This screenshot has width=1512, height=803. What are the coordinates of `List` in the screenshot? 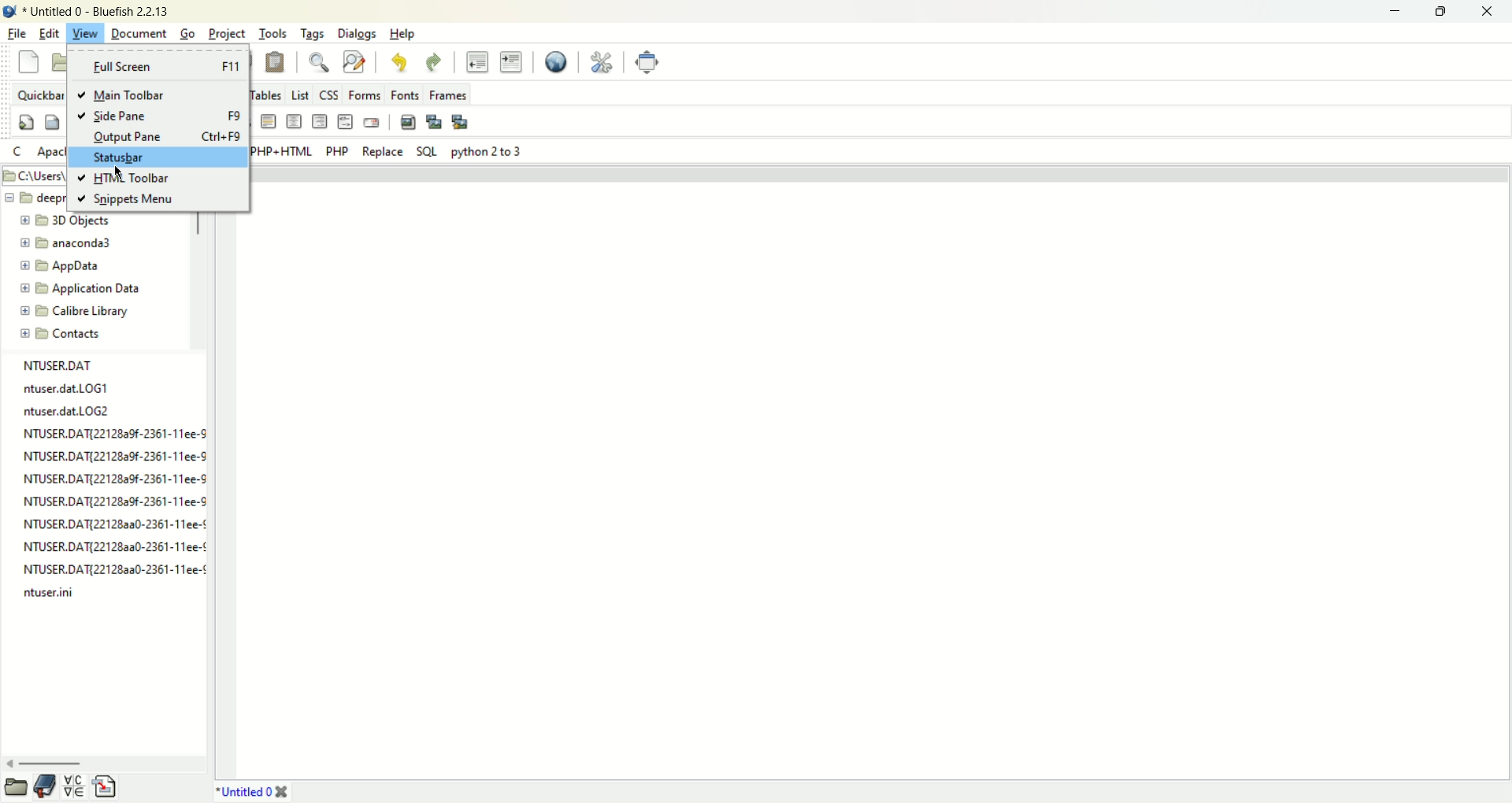 It's located at (302, 94).